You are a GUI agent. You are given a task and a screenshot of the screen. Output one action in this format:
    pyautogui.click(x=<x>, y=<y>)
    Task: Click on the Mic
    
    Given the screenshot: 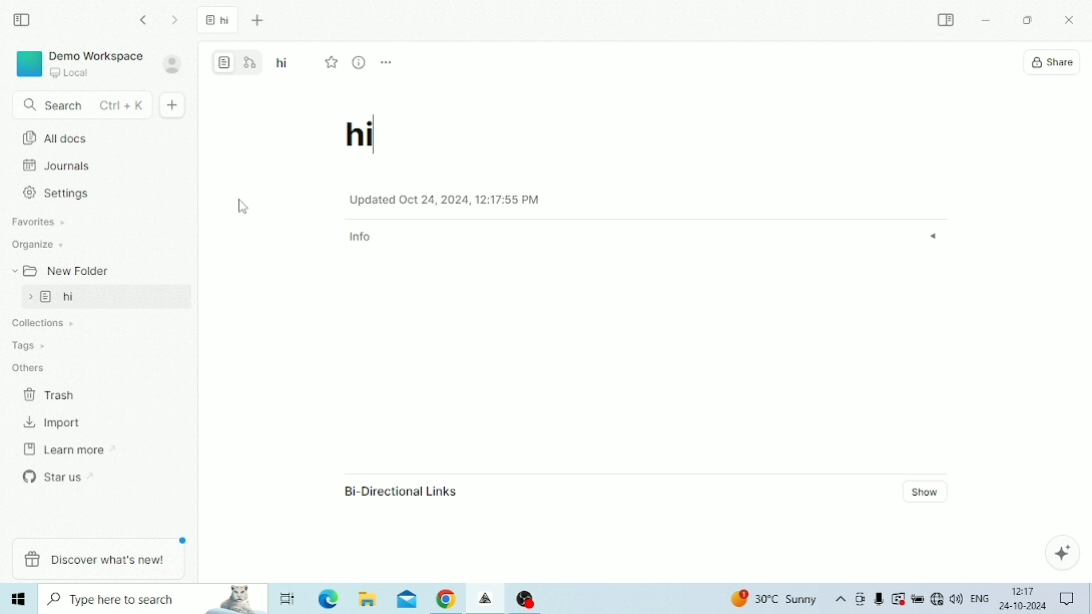 What is the action you would take?
    pyautogui.click(x=878, y=600)
    